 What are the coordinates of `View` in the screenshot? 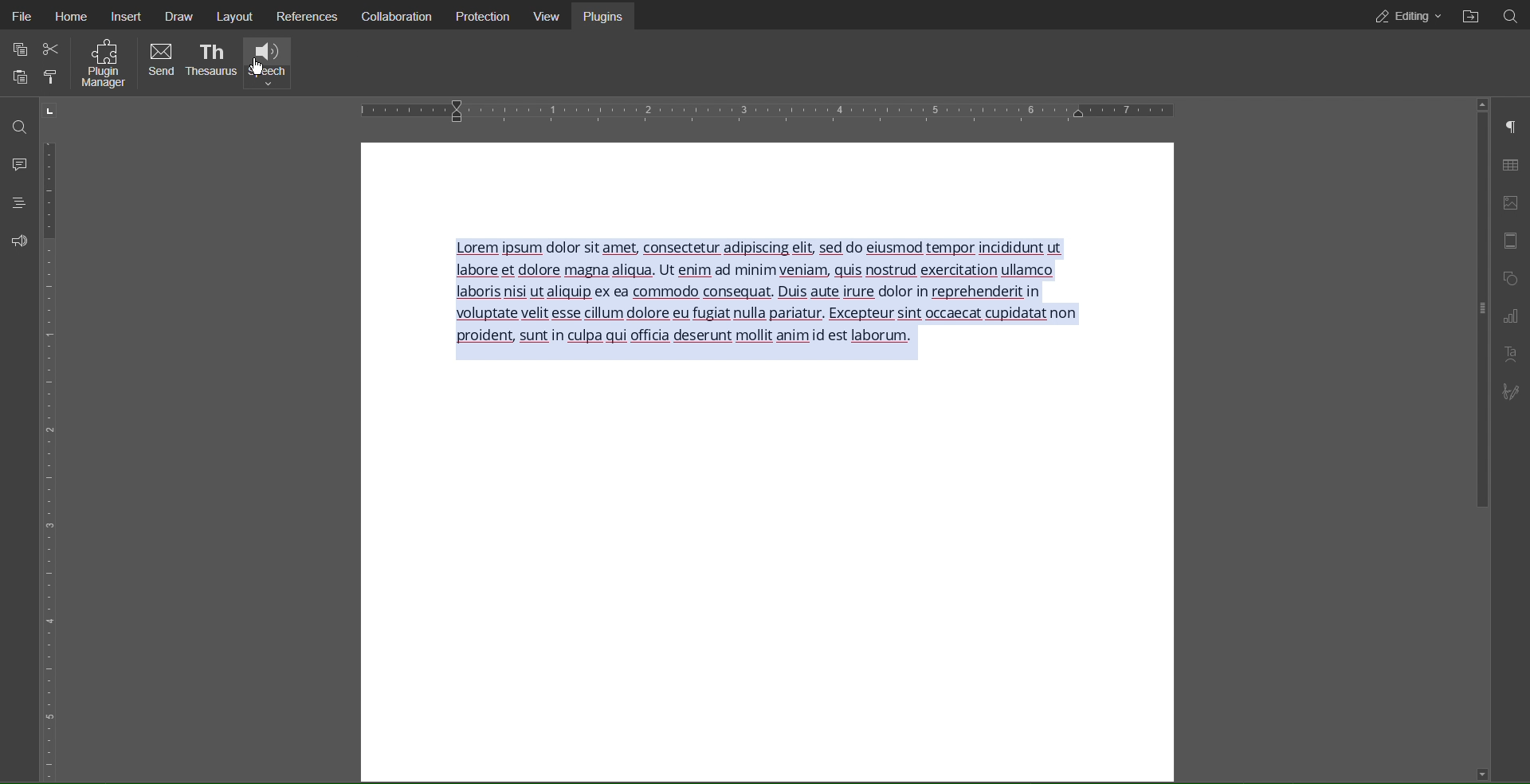 It's located at (554, 16).